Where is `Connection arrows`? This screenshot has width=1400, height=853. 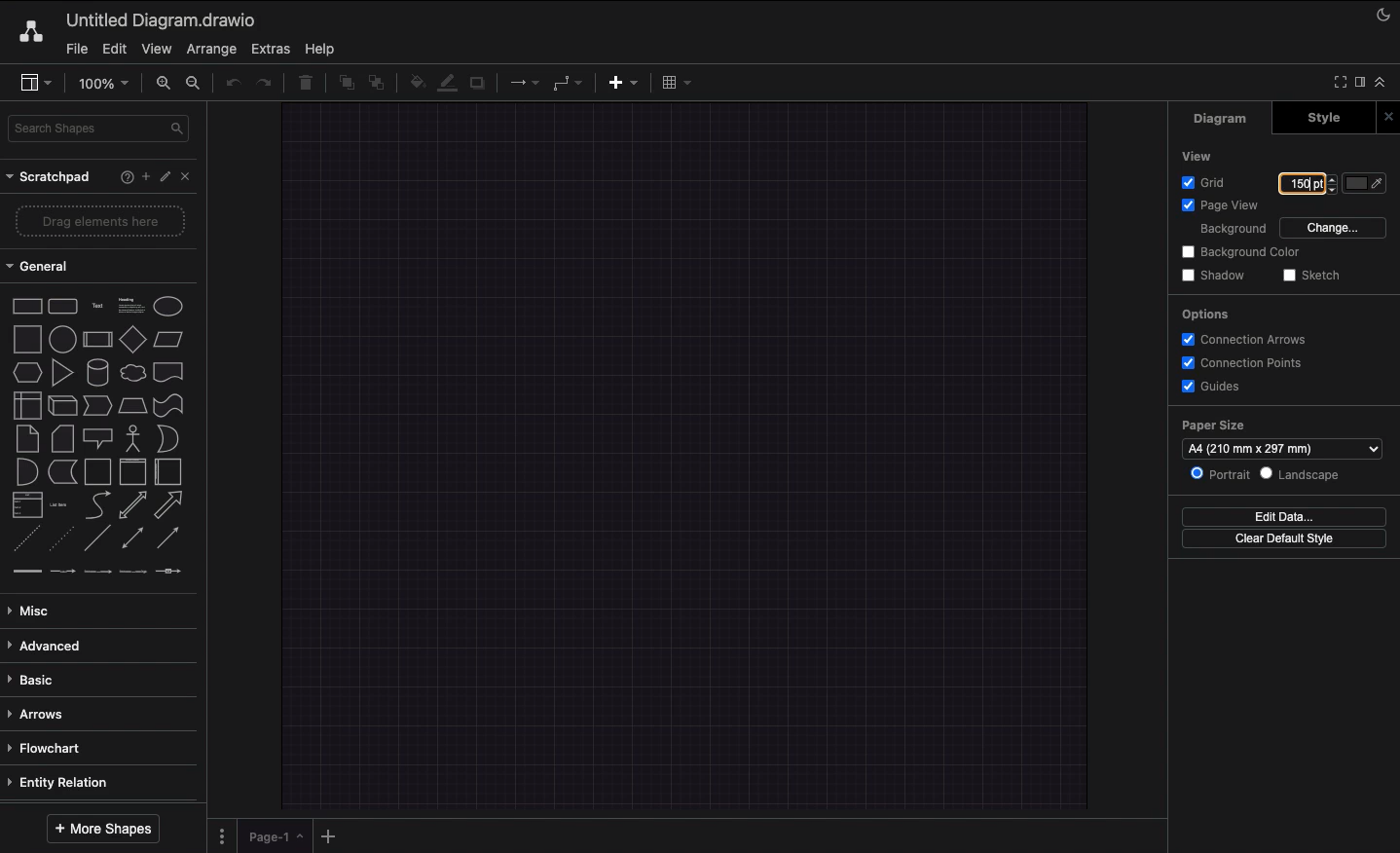 Connection arrows is located at coordinates (1251, 341).